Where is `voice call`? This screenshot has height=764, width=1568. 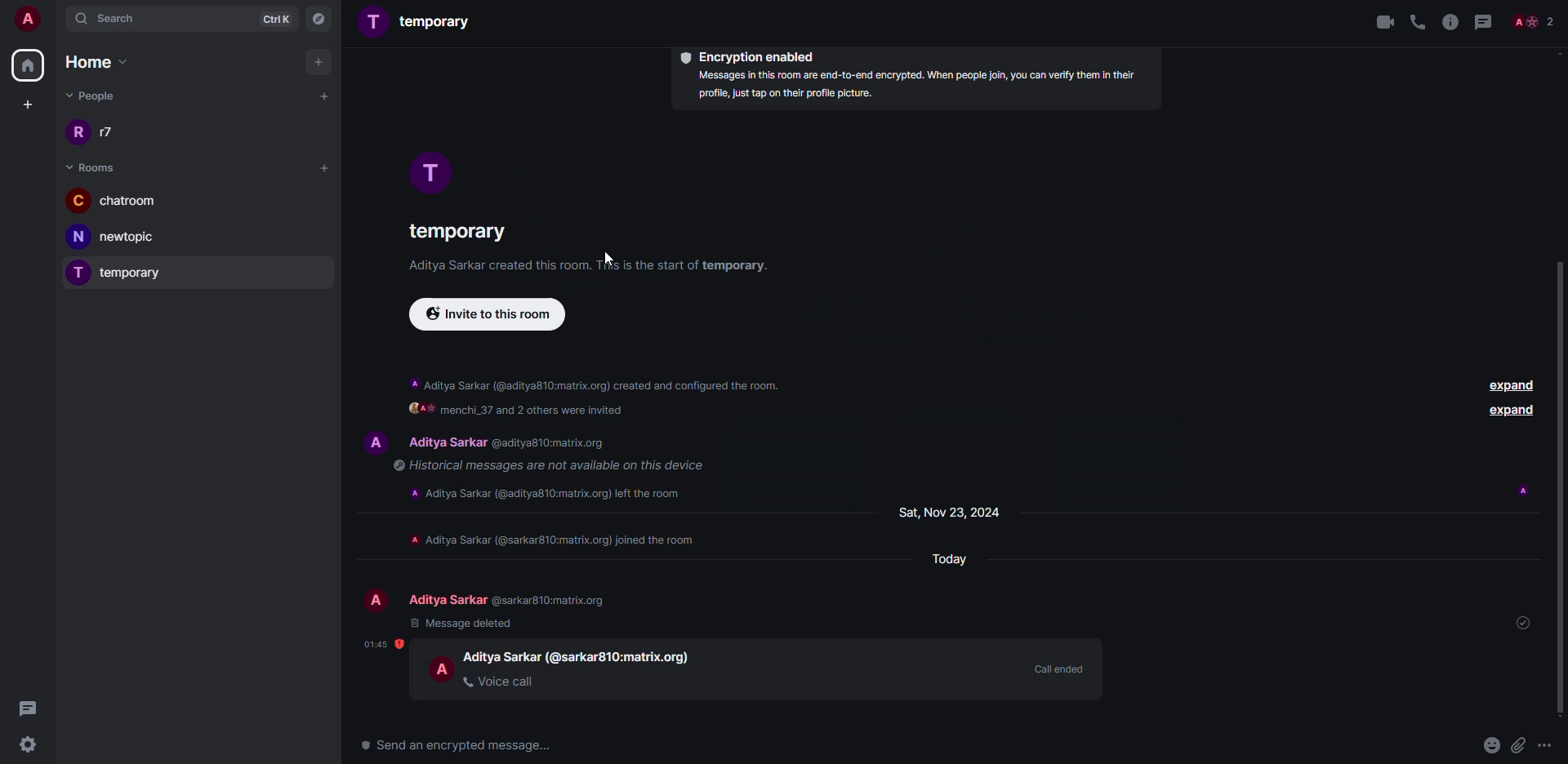 voice call is located at coordinates (1416, 21).